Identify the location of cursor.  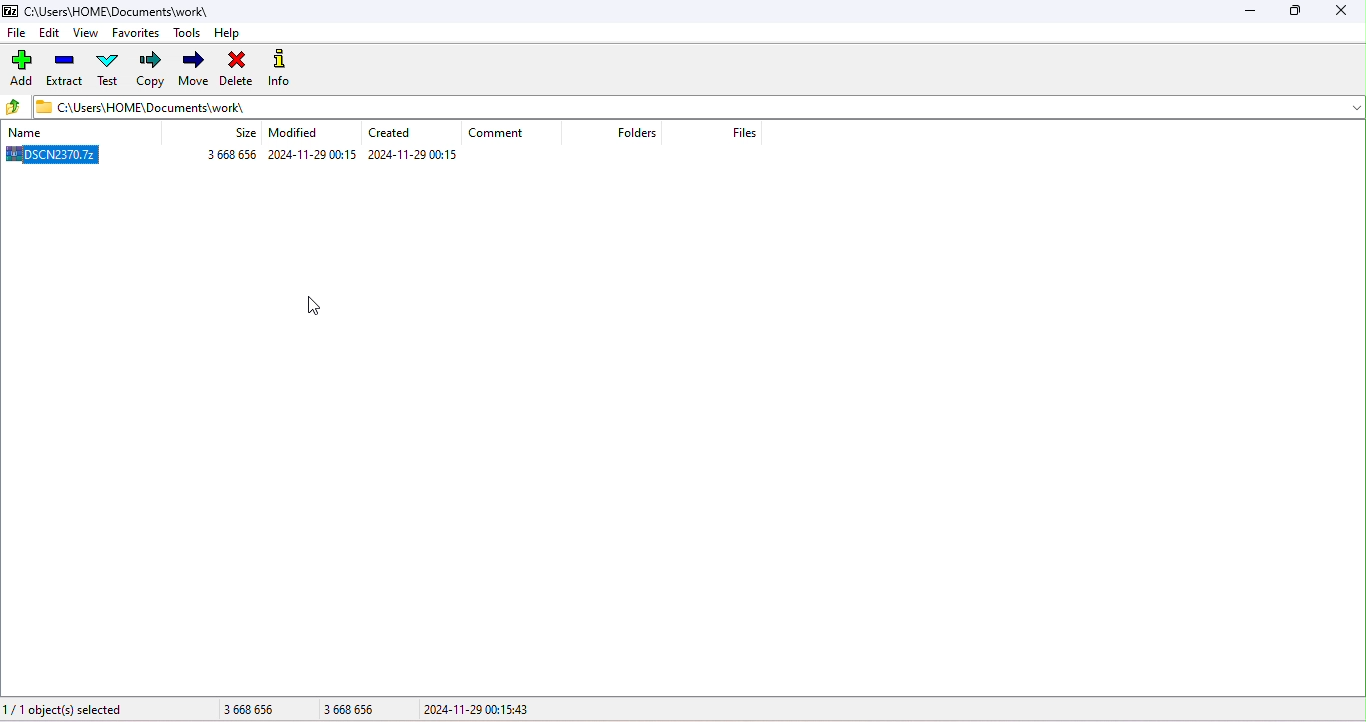
(316, 309).